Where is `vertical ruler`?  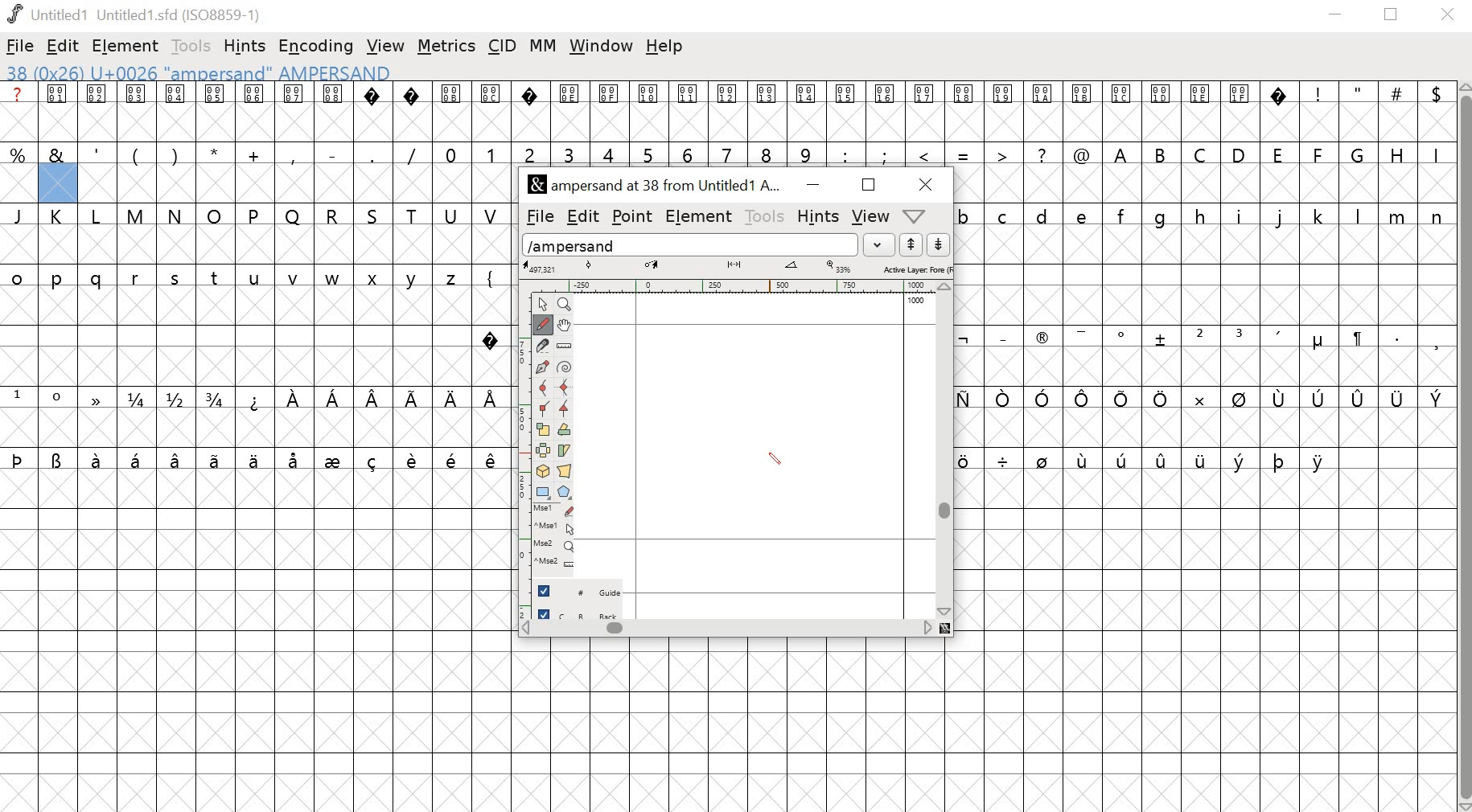 vertical ruler is located at coordinates (516, 452).